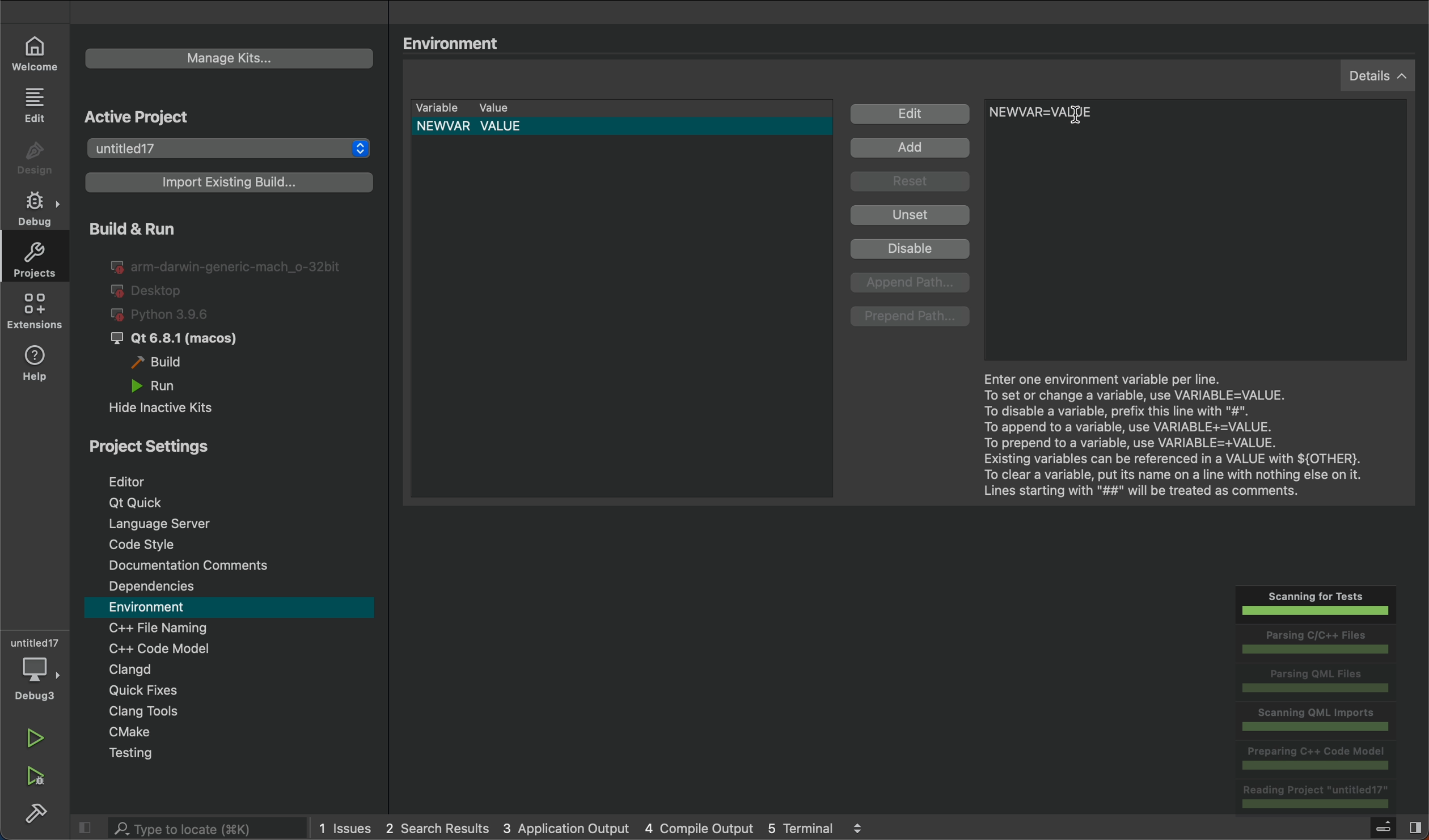 The width and height of the screenshot is (1429, 840). Describe the element at coordinates (34, 814) in the screenshot. I see `build` at that location.